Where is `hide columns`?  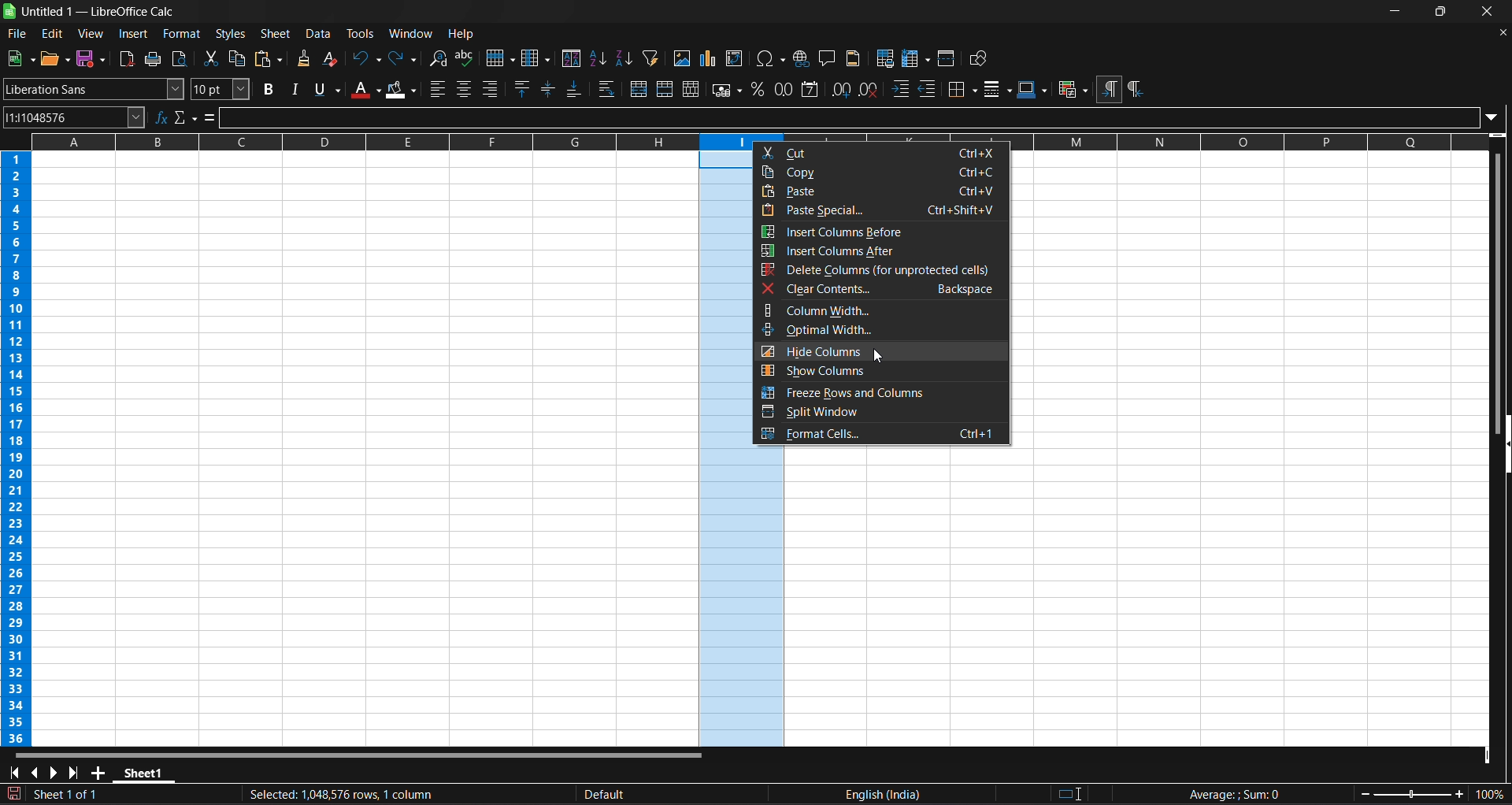
hide columns is located at coordinates (881, 351).